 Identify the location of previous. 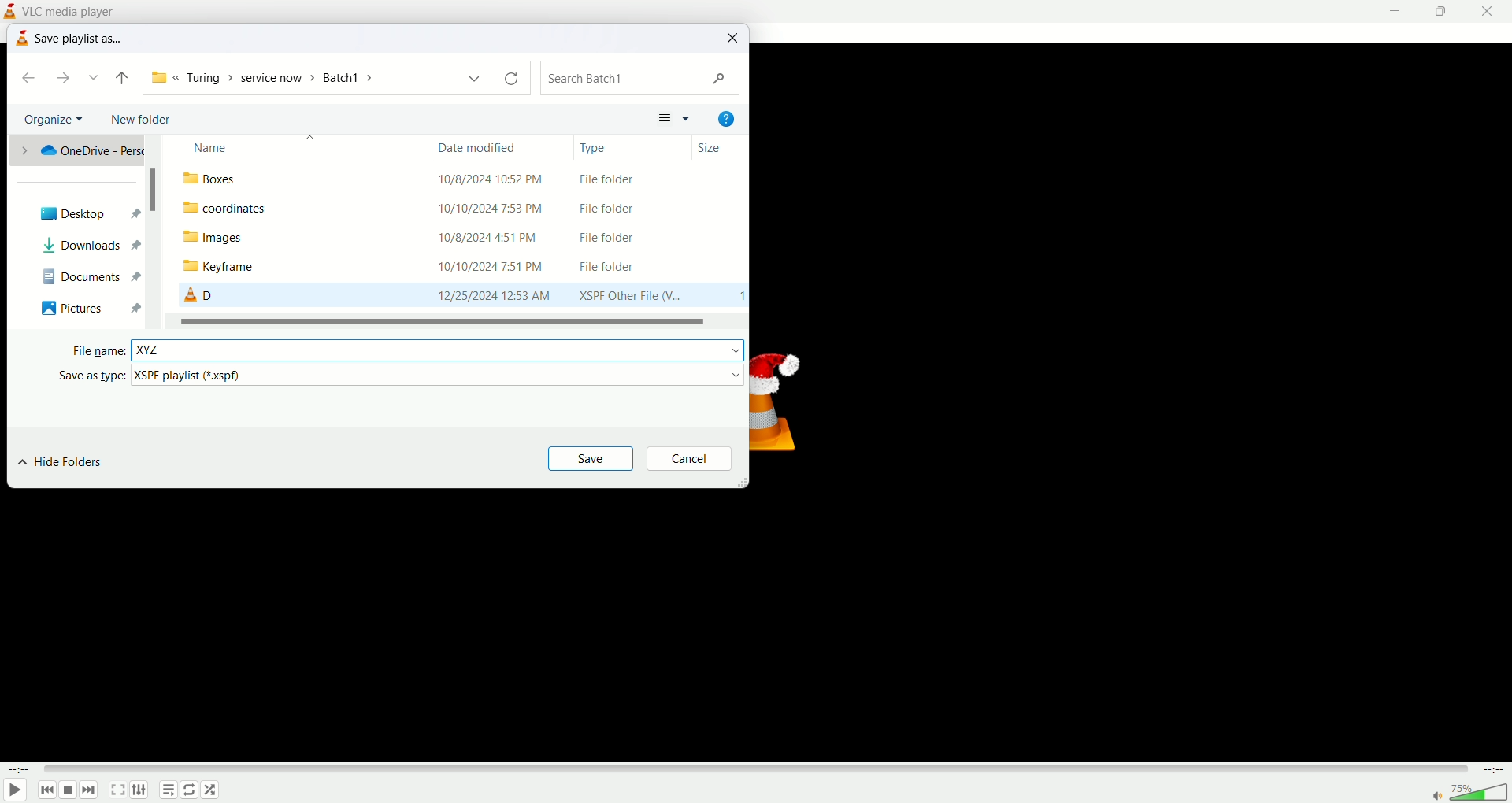
(46, 790).